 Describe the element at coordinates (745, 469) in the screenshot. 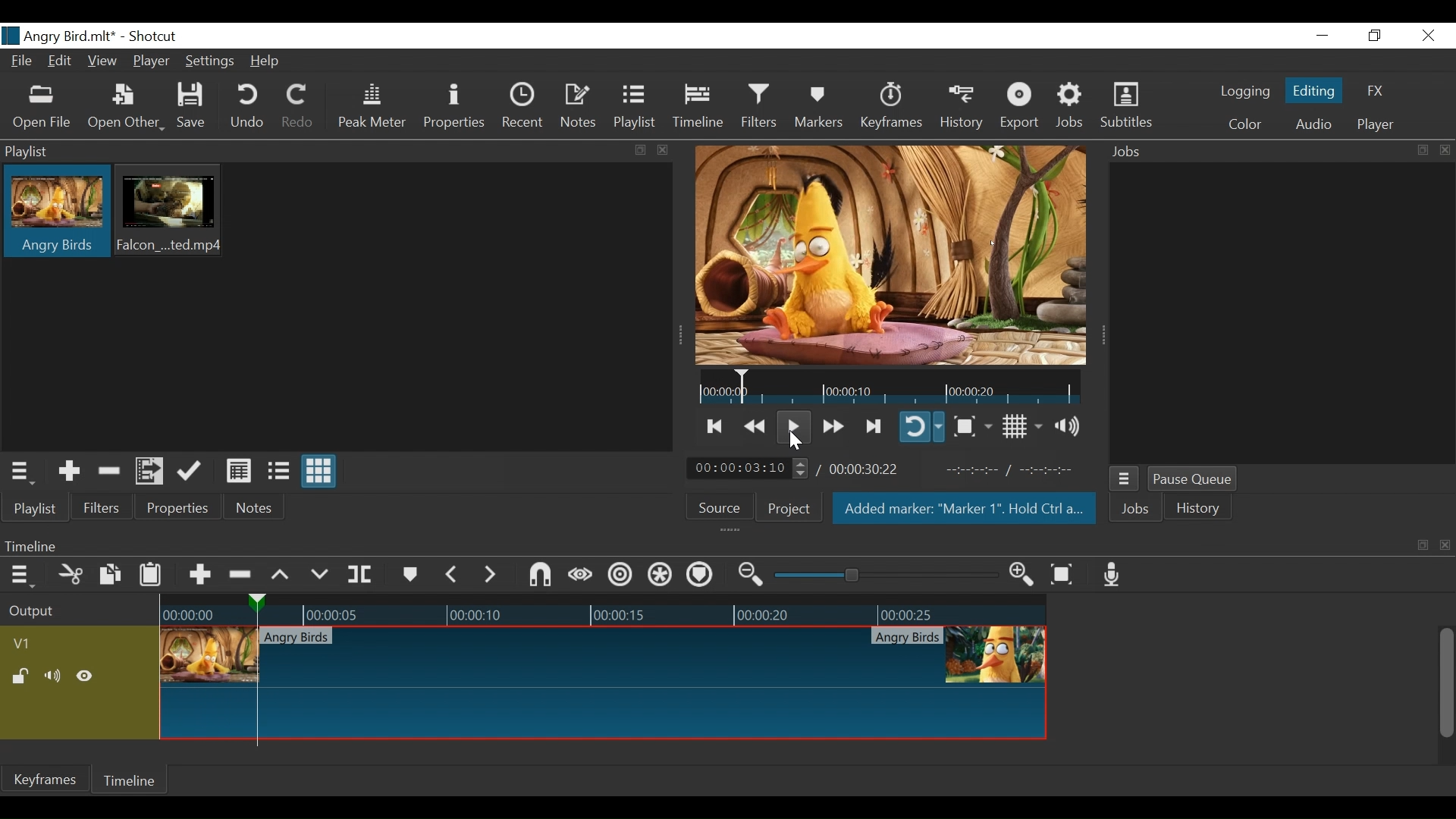

I see `Current position` at that location.